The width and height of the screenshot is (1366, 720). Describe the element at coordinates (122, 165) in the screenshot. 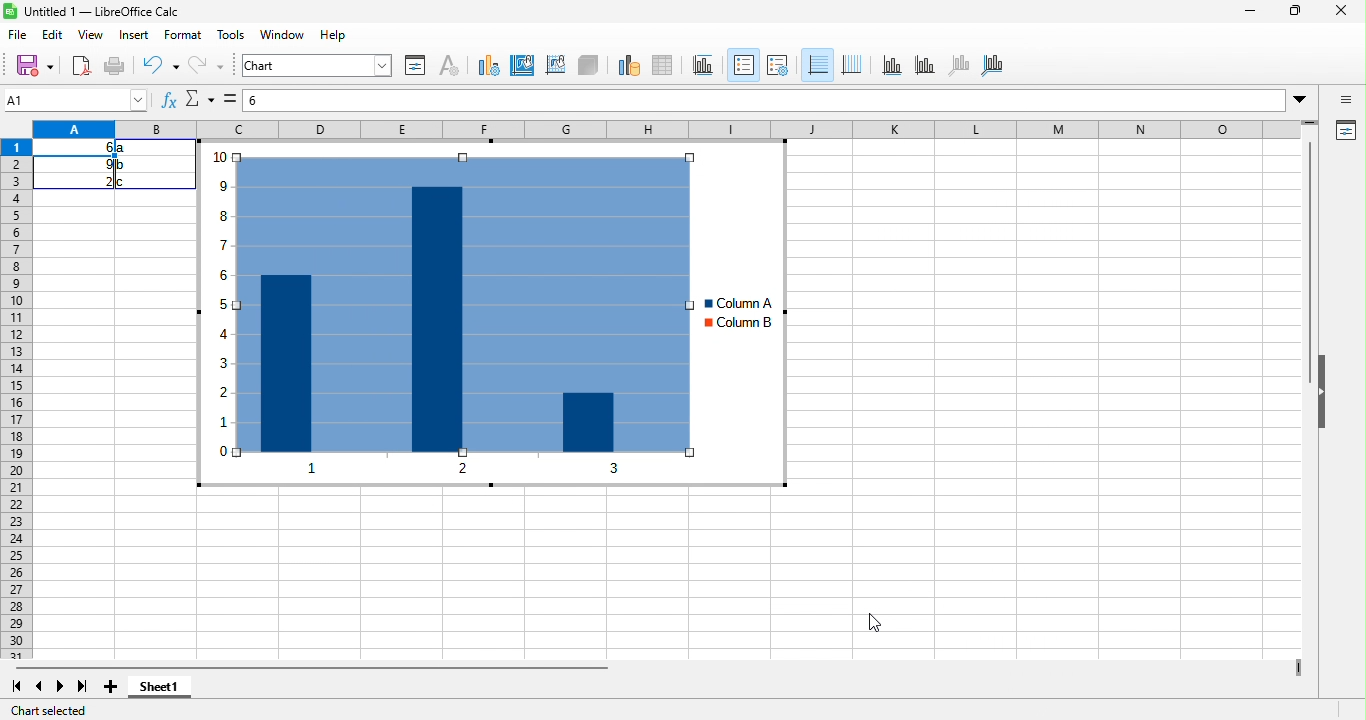

I see `b` at that location.